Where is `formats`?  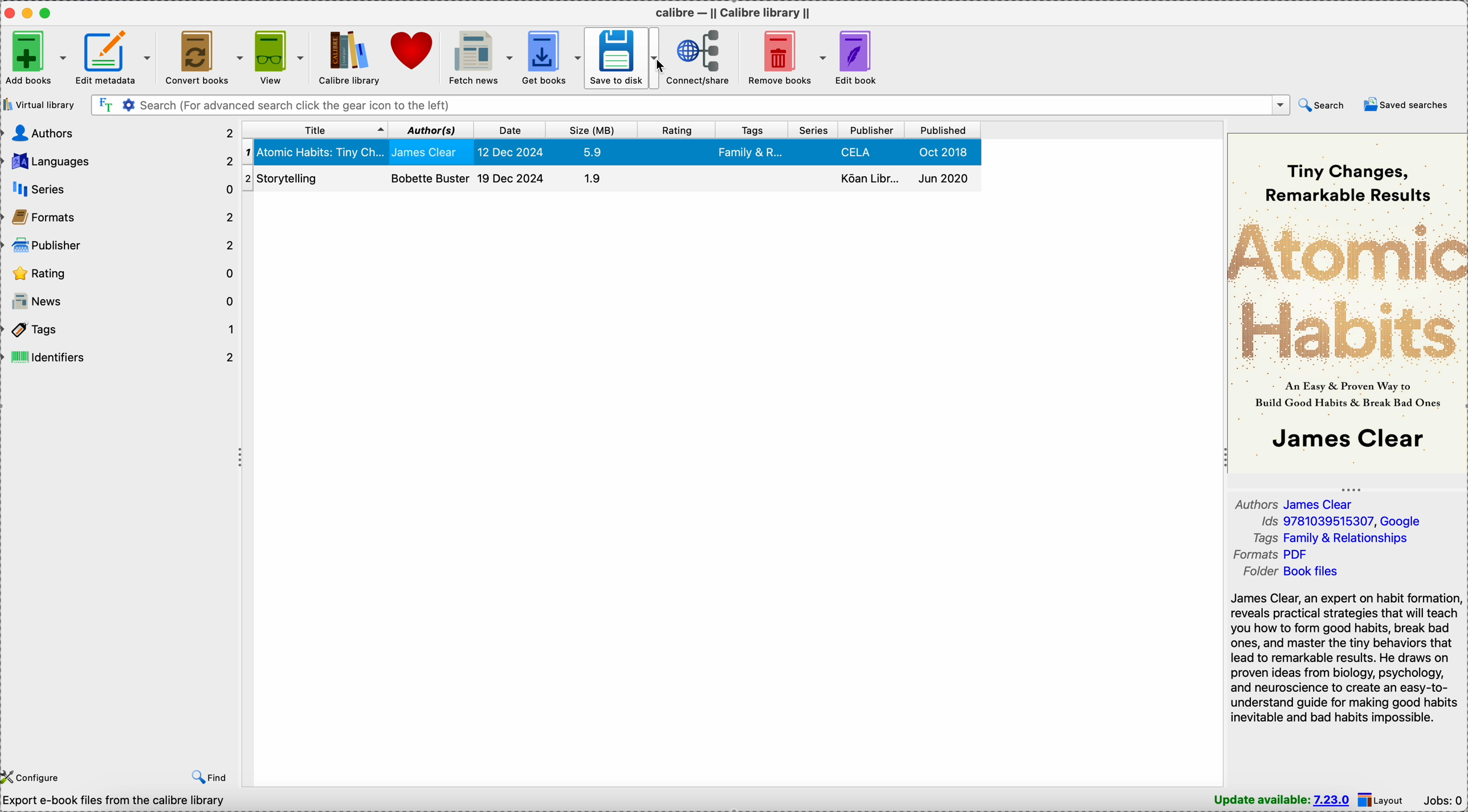 formats is located at coordinates (122, 219).